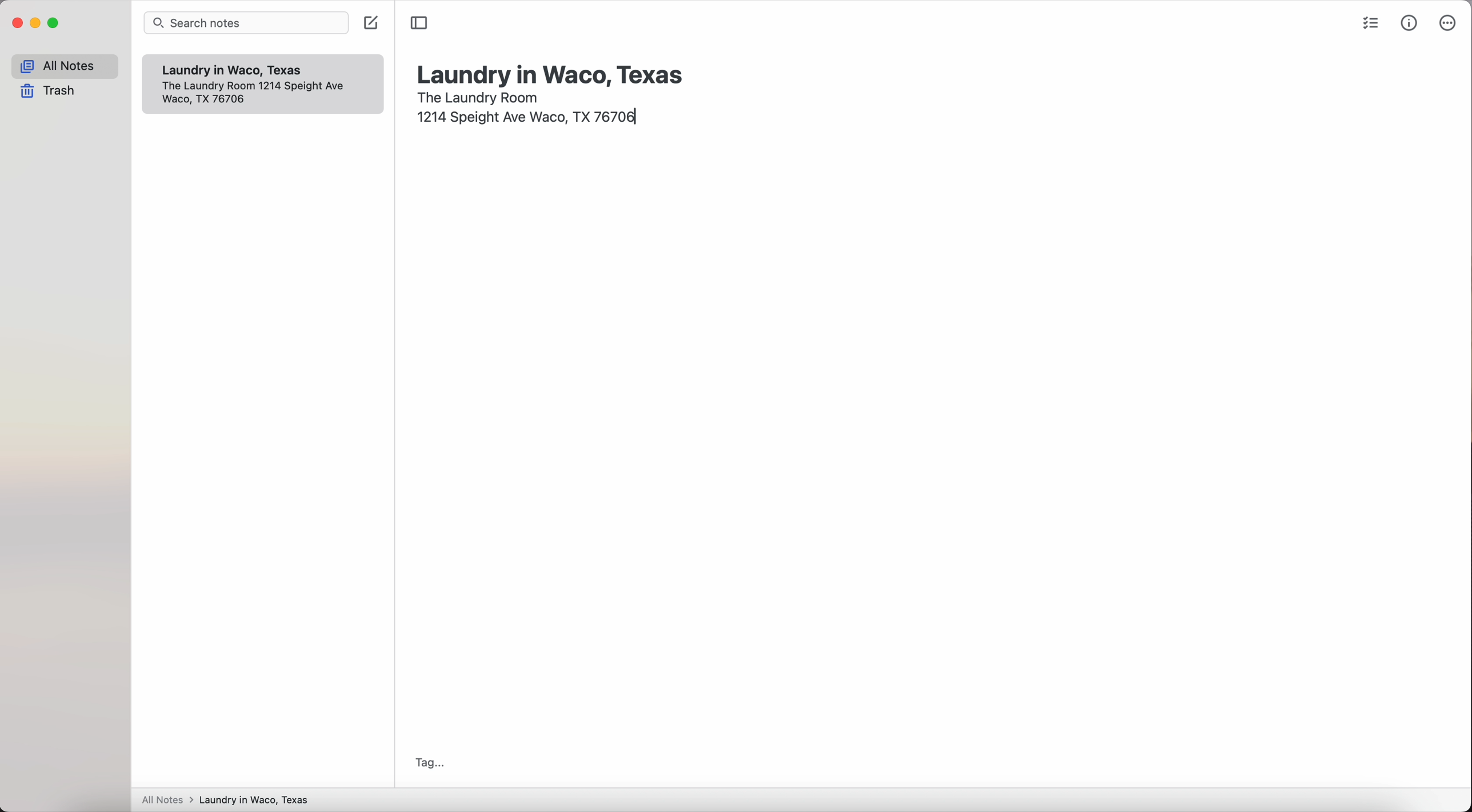  I want to click on maximize app, so click(54, 23).